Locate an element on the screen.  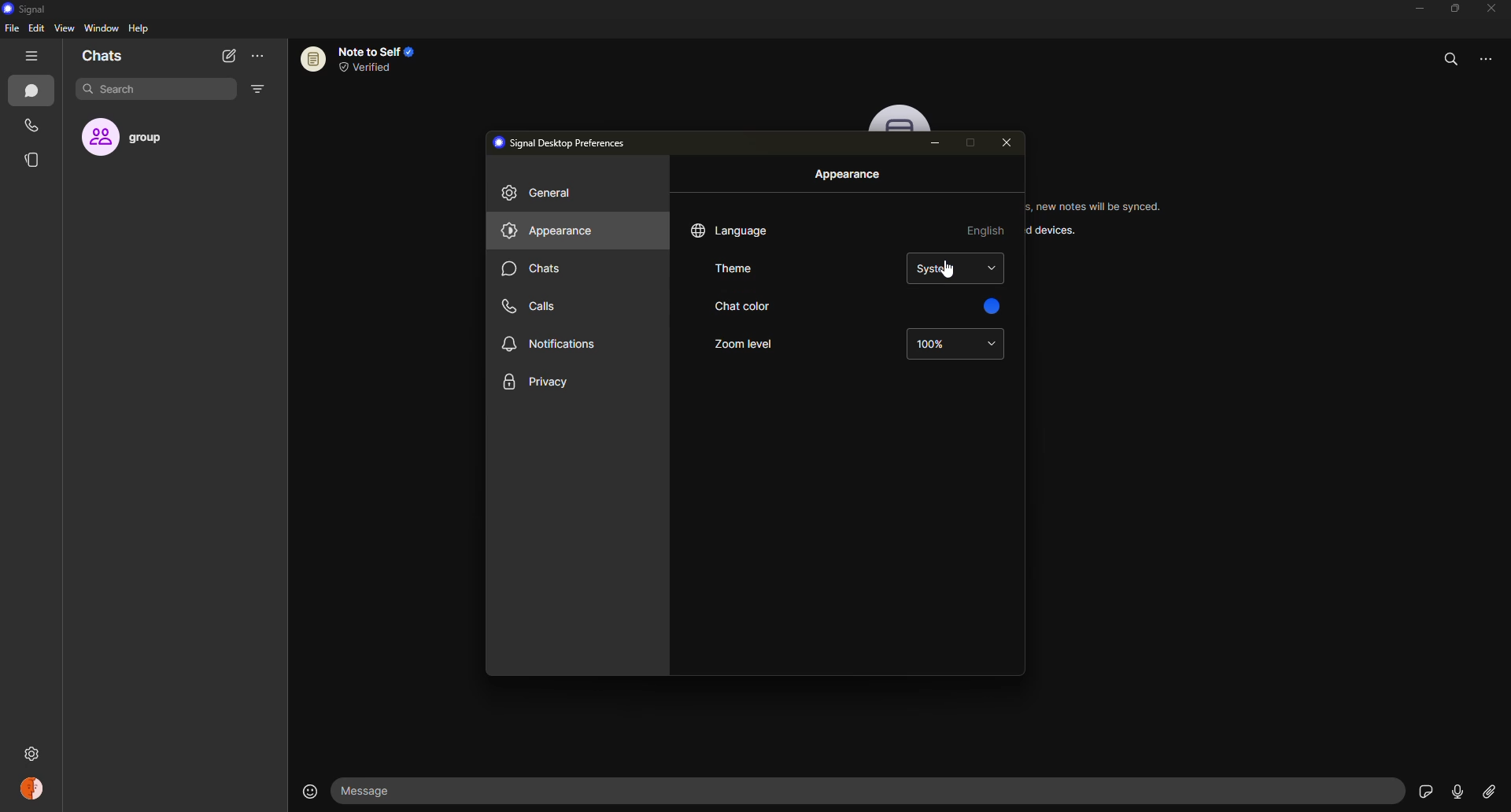
theme is located at coordinates (737, 269).